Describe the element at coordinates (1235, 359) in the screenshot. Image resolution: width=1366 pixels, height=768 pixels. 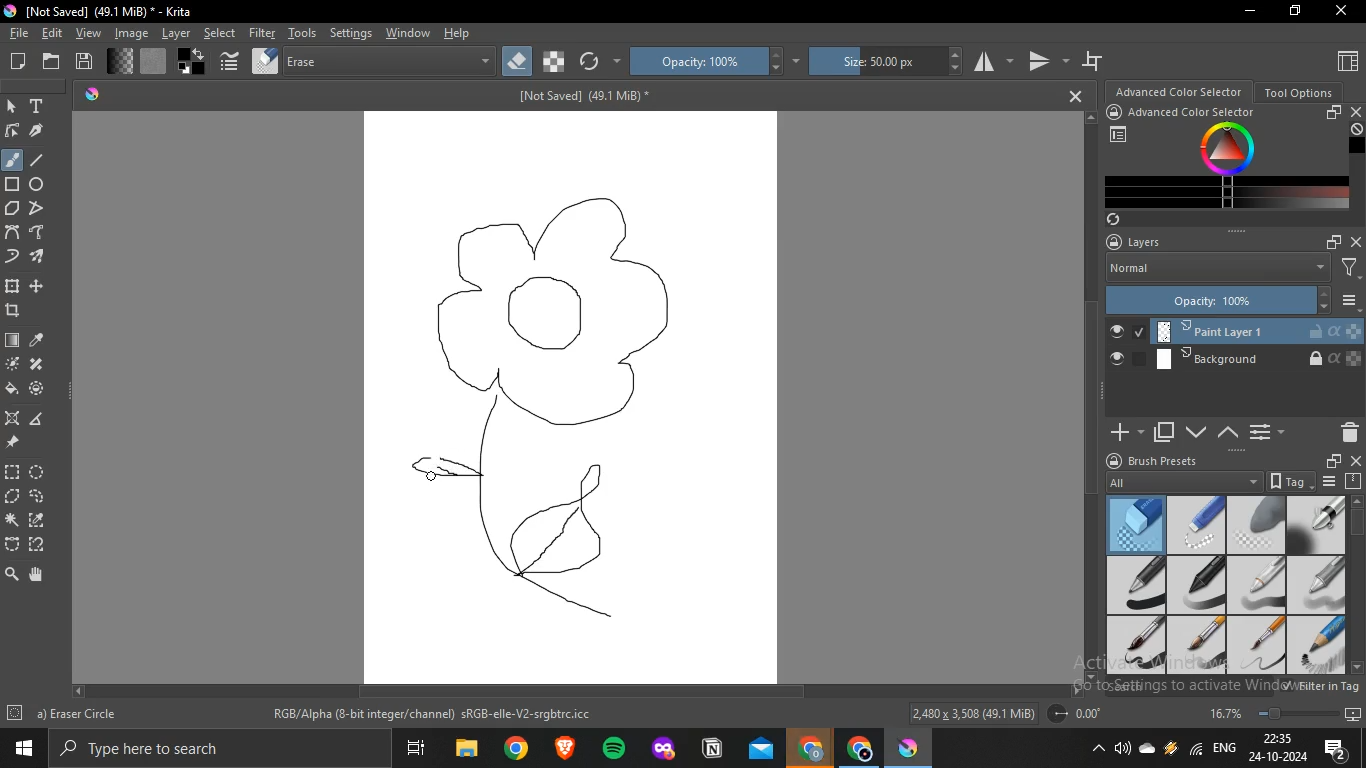
I see `Background` at that location.